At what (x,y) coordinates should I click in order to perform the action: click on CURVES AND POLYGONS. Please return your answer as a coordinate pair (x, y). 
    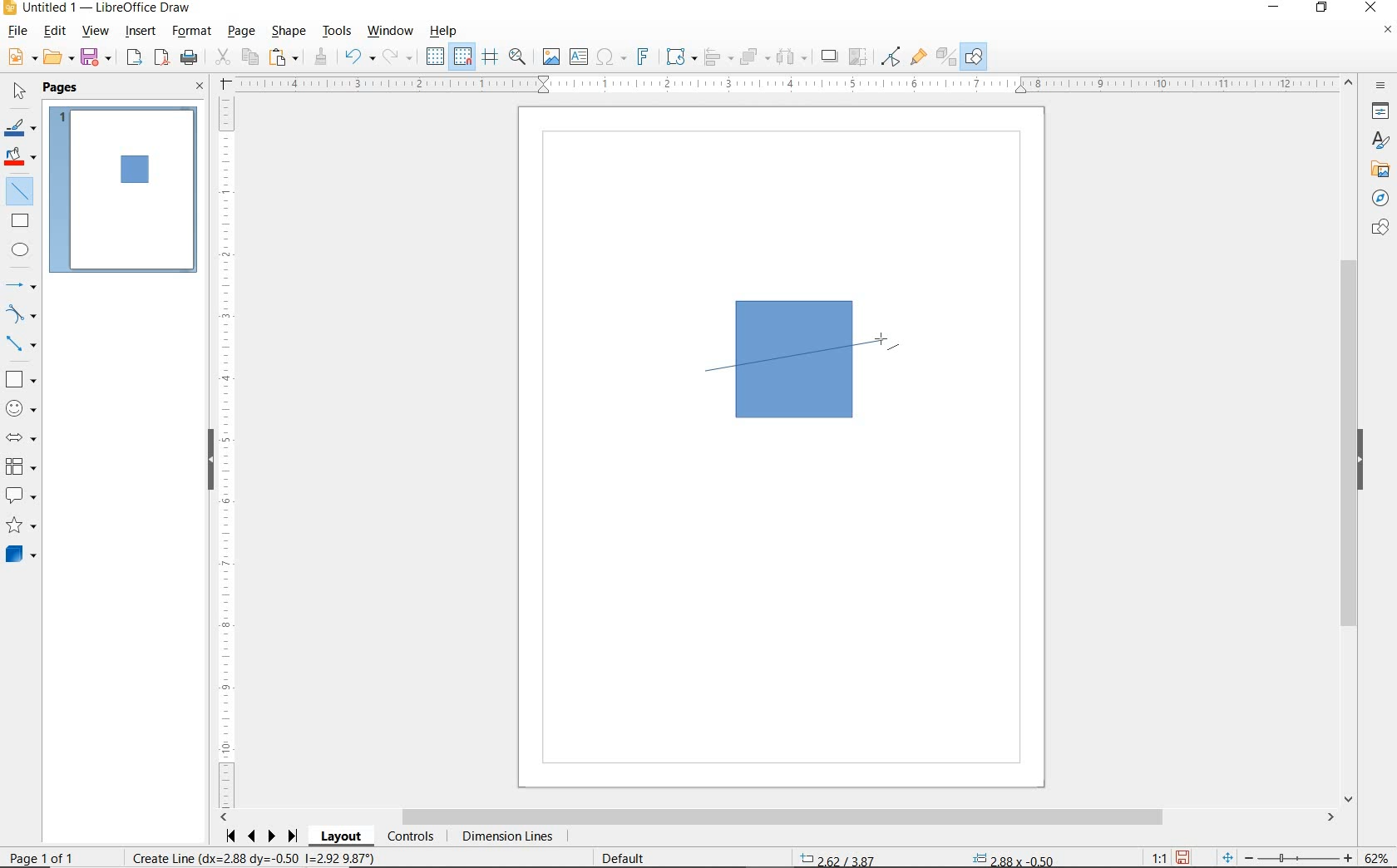
    Looking at the image, I should click on (22, 313).